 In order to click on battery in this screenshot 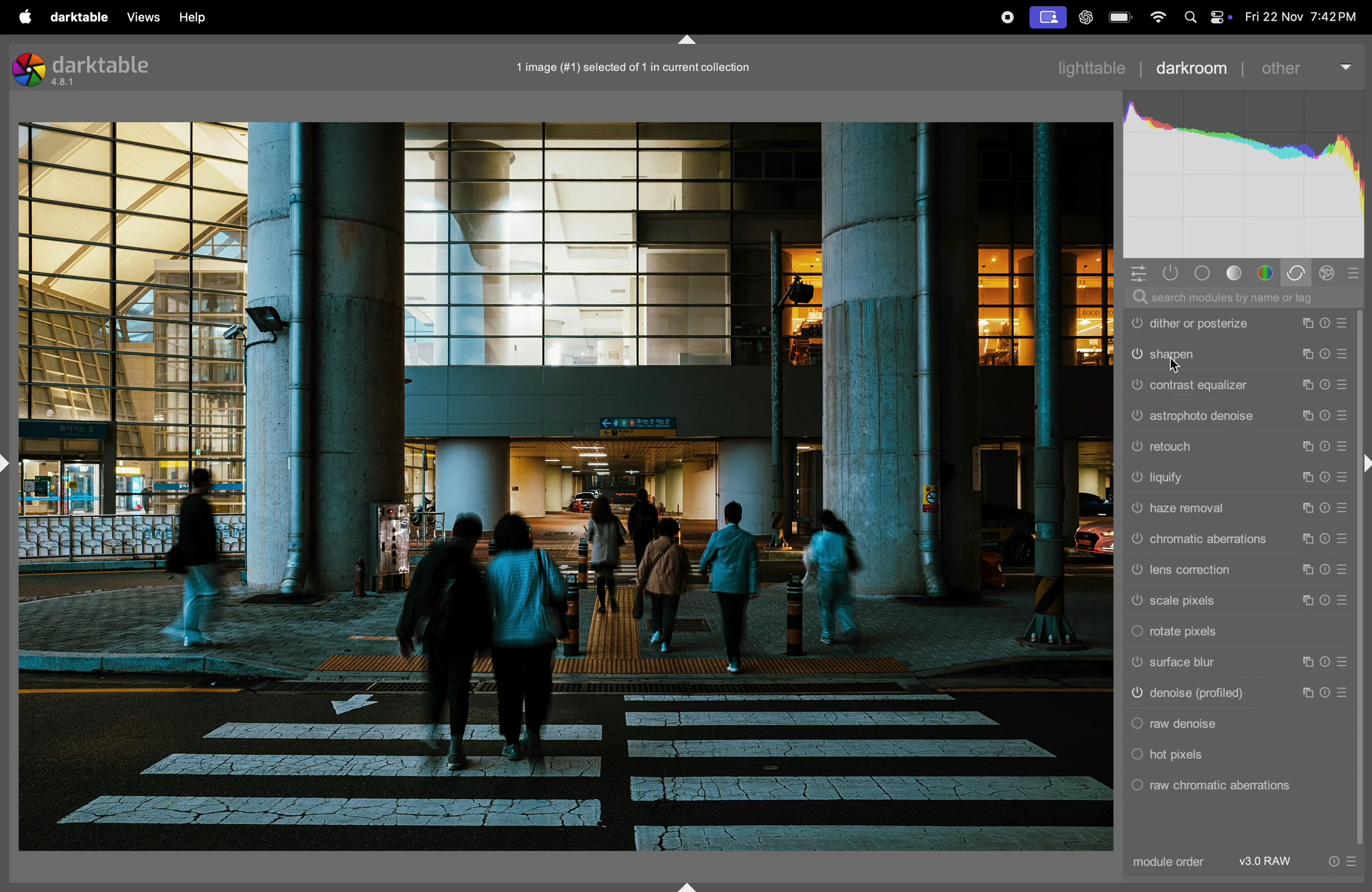, I will do `click(1121, 17)`.